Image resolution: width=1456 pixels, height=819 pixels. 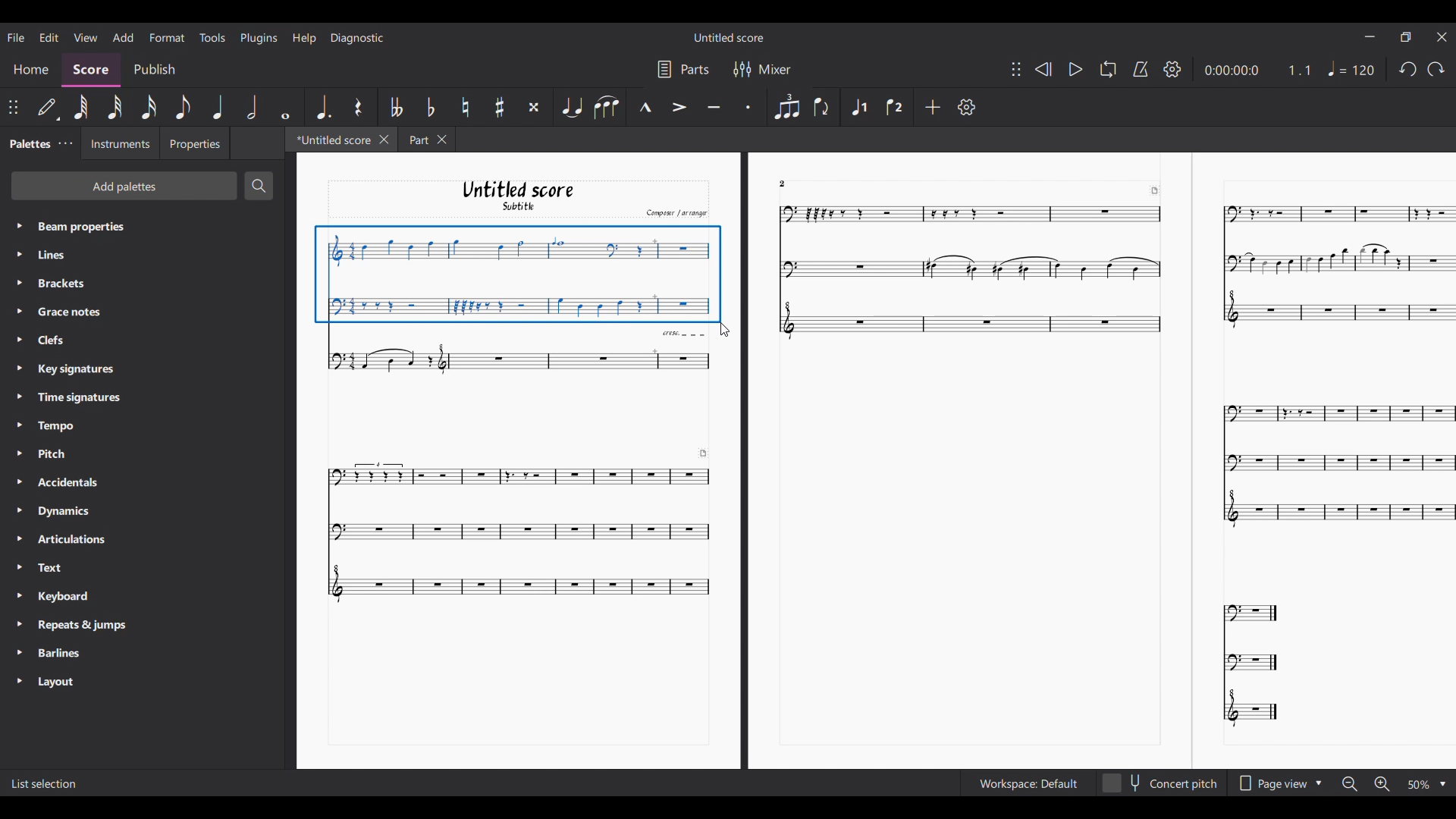 What do you see at coordinates (92, 71) in the screenshot?
I see `Score ` at bounding box center [92, 71].